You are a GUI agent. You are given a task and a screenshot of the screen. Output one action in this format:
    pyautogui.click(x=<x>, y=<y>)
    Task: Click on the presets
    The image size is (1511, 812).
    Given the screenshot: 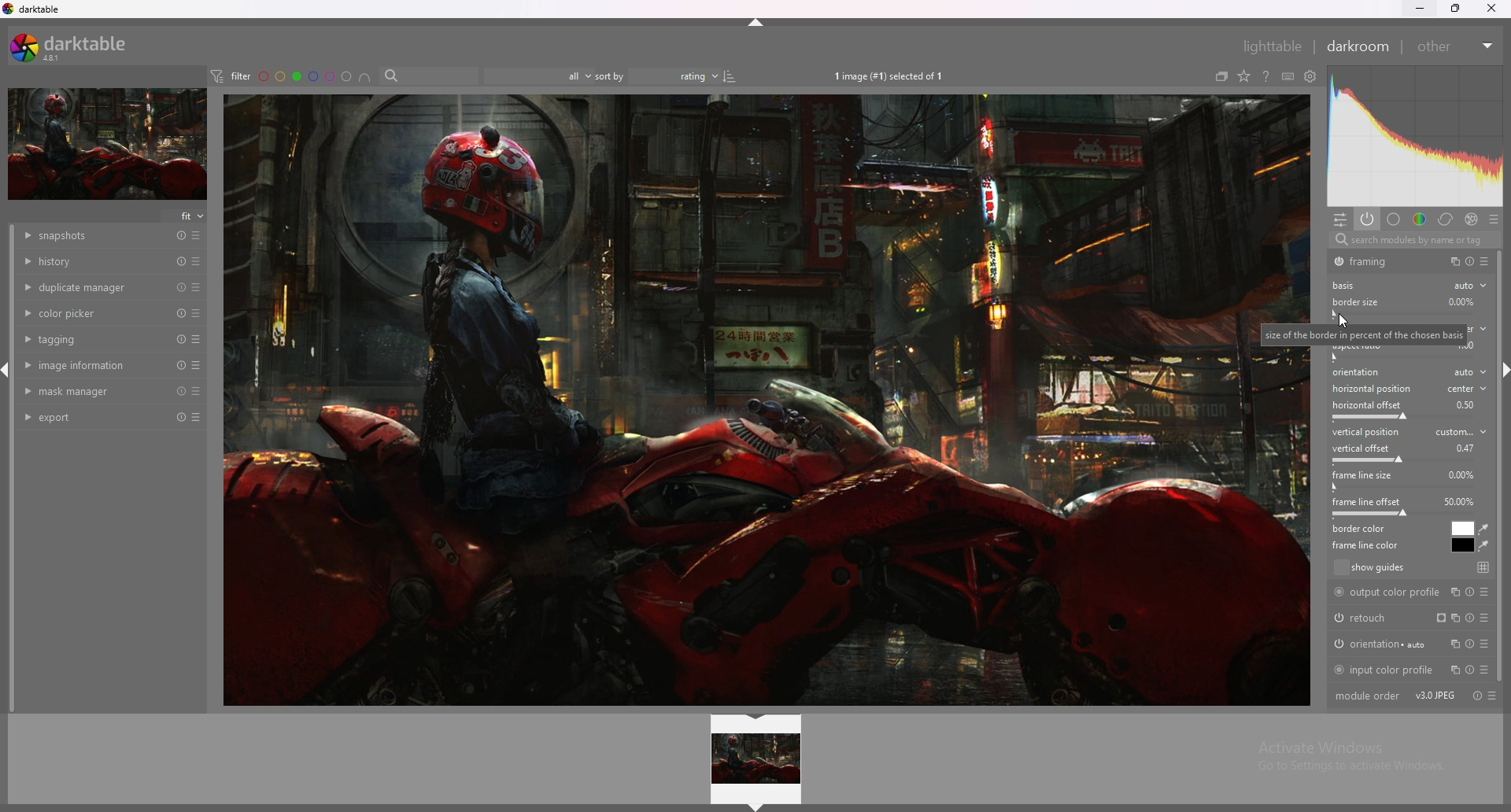 What is the action you would take?
    pyautogui.click(x=1492, y=217)
    